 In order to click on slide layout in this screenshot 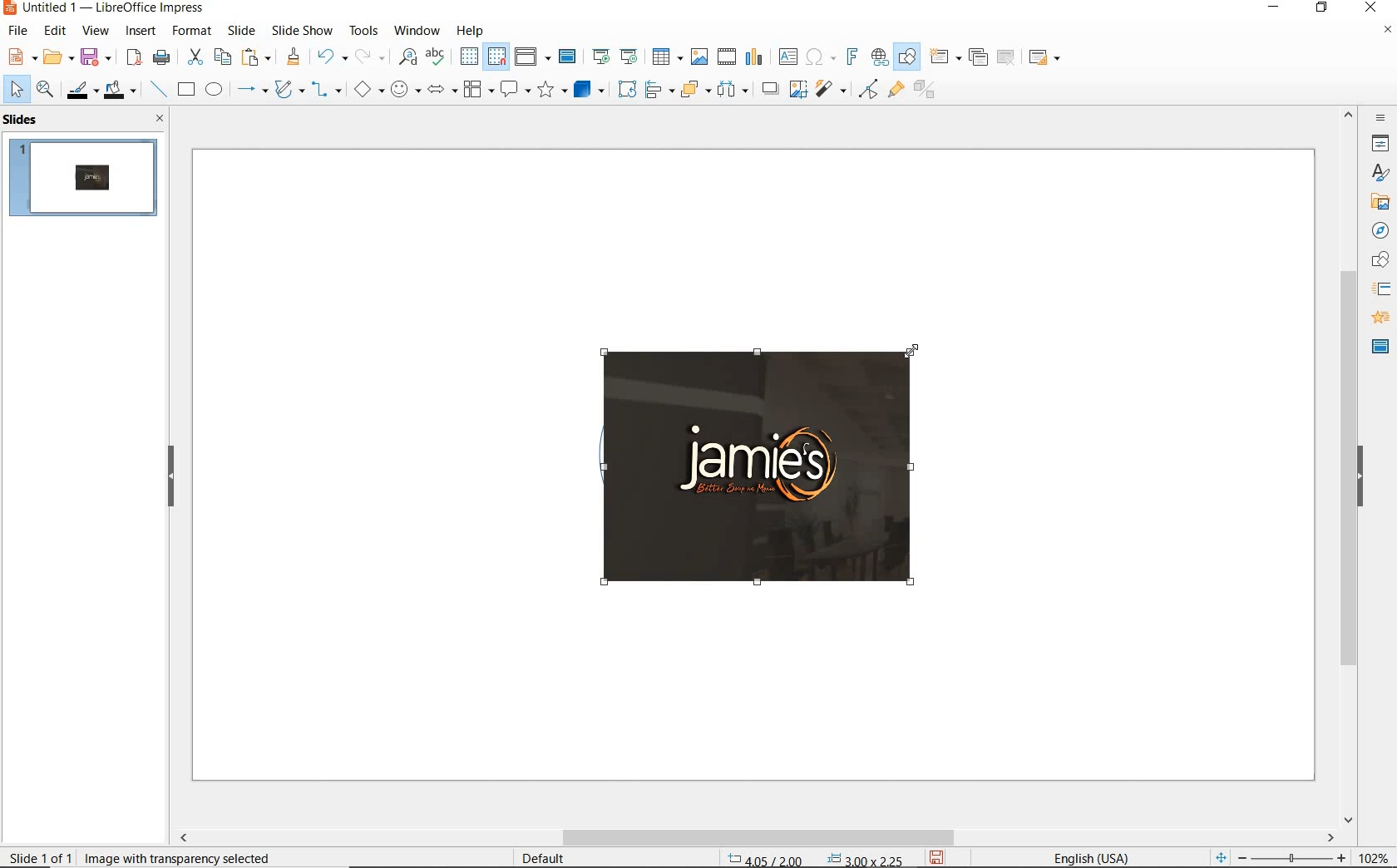, I will do `click(1045, 58)`.